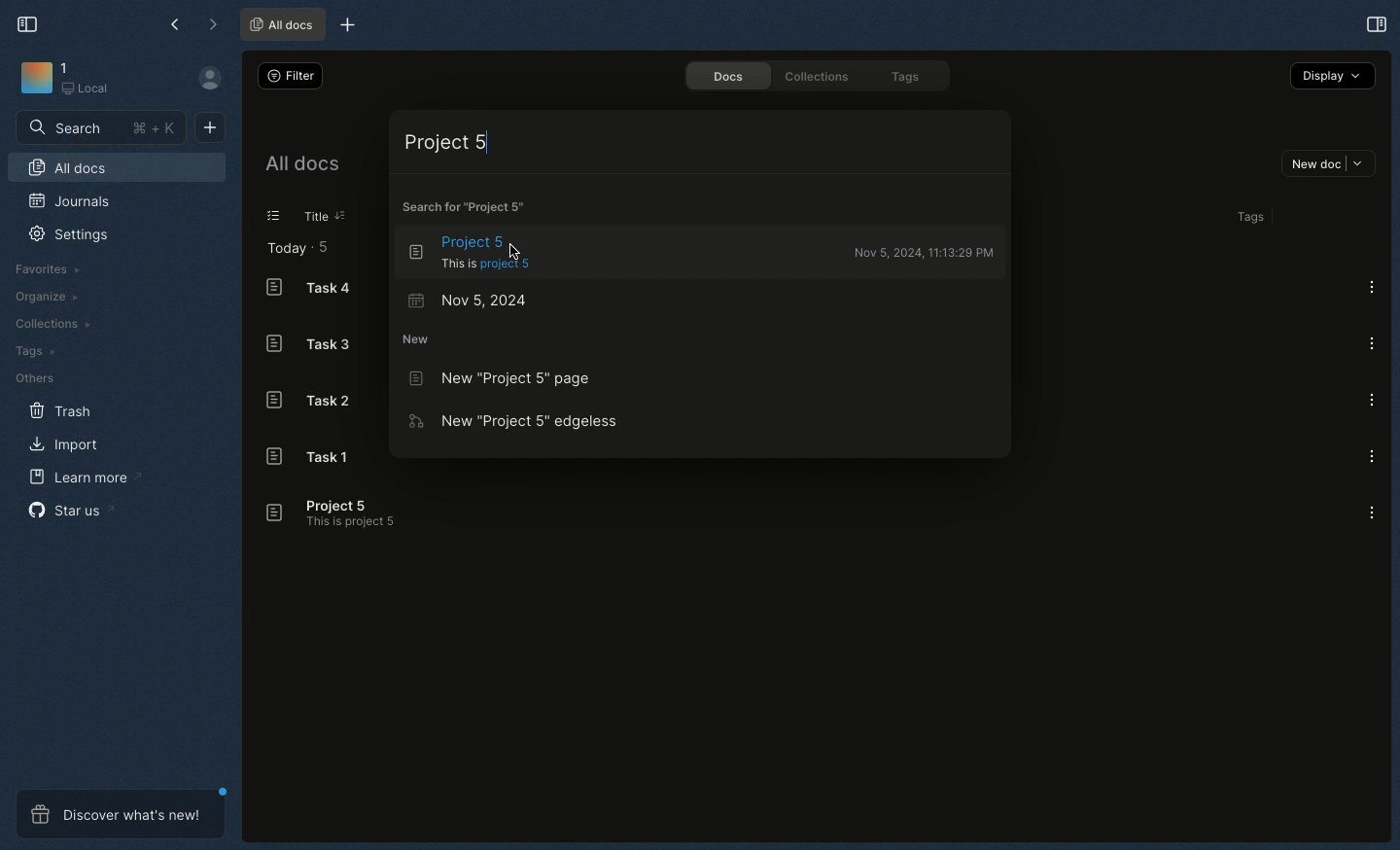  What do you see at coordinates (1372, 341) in the screenshot?
I see `Options` at bounding box center [1372, 341].